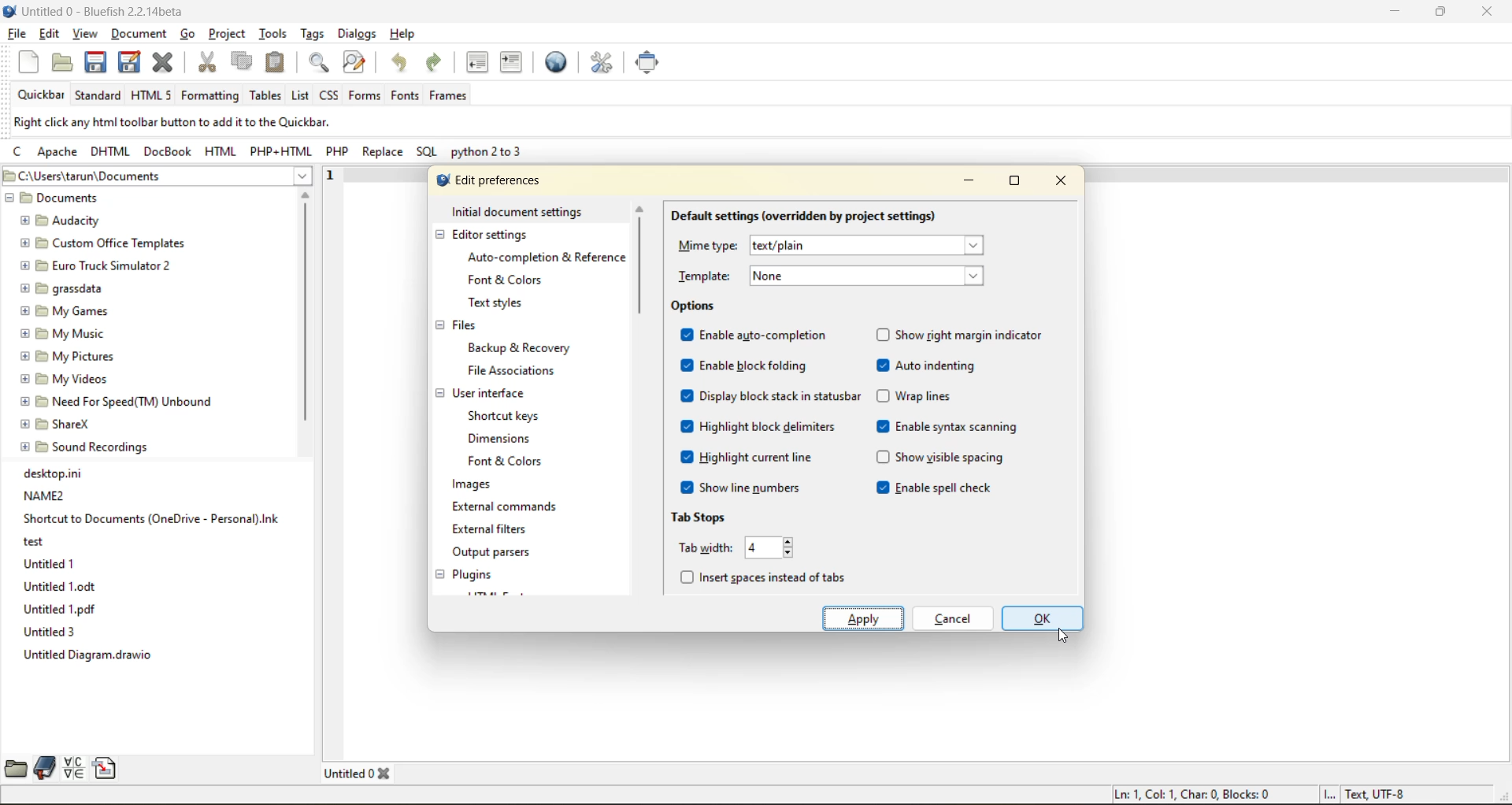 This screenshot has width=1512, height=805. I want to click on full screen, so click(648, 64).